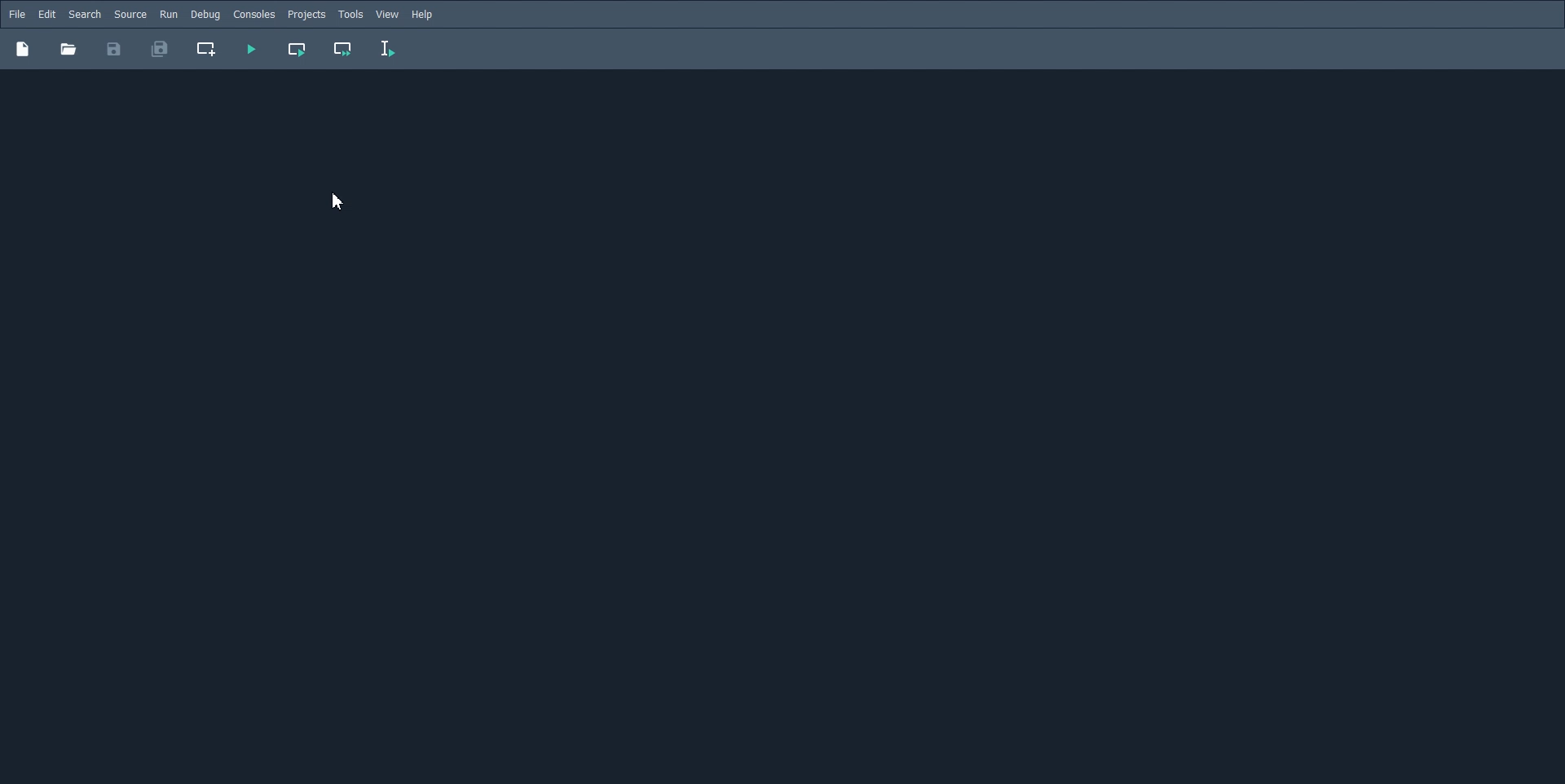 The height and width of the screenshot is (784, 1565). Describe the element at coordinates (296, 49) in the screenshot. I see `Run Current cell` at that location.